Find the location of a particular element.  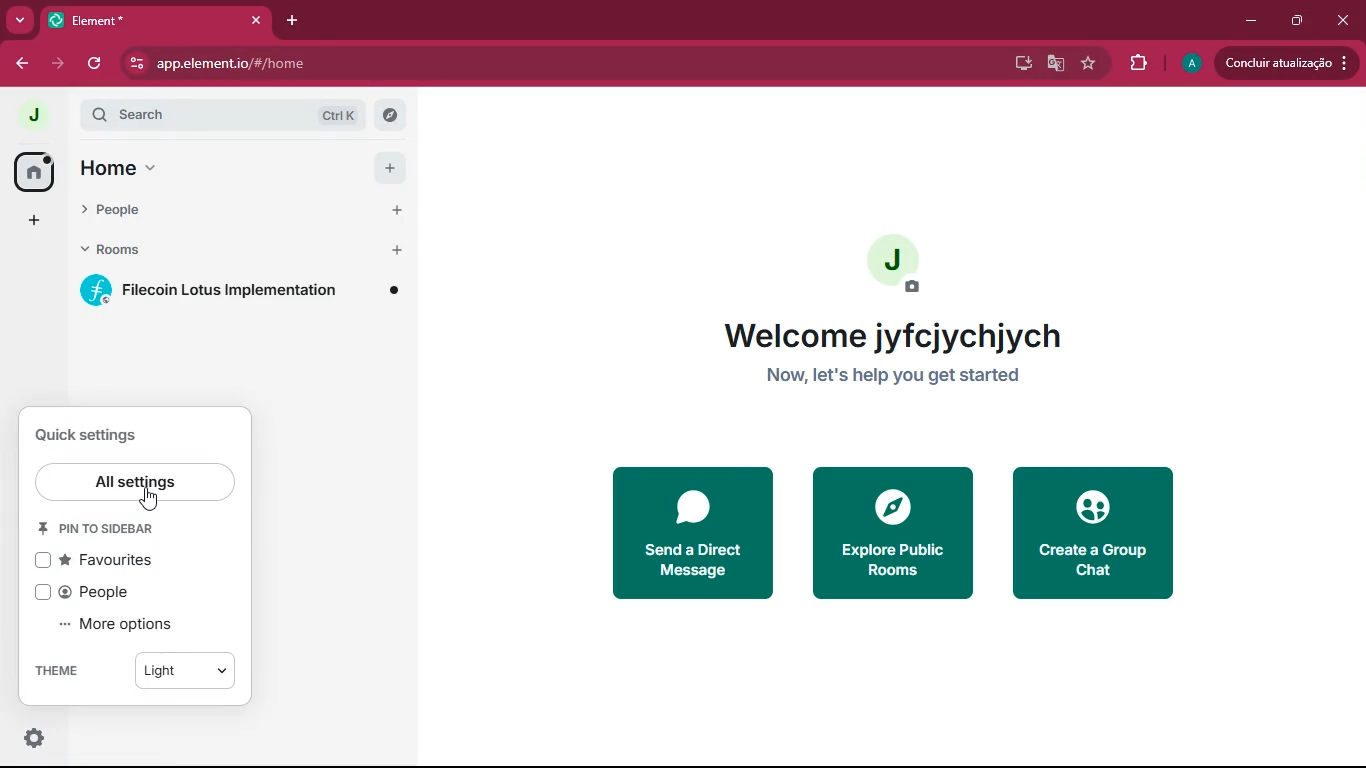

more is located at coordinates (19, 20).